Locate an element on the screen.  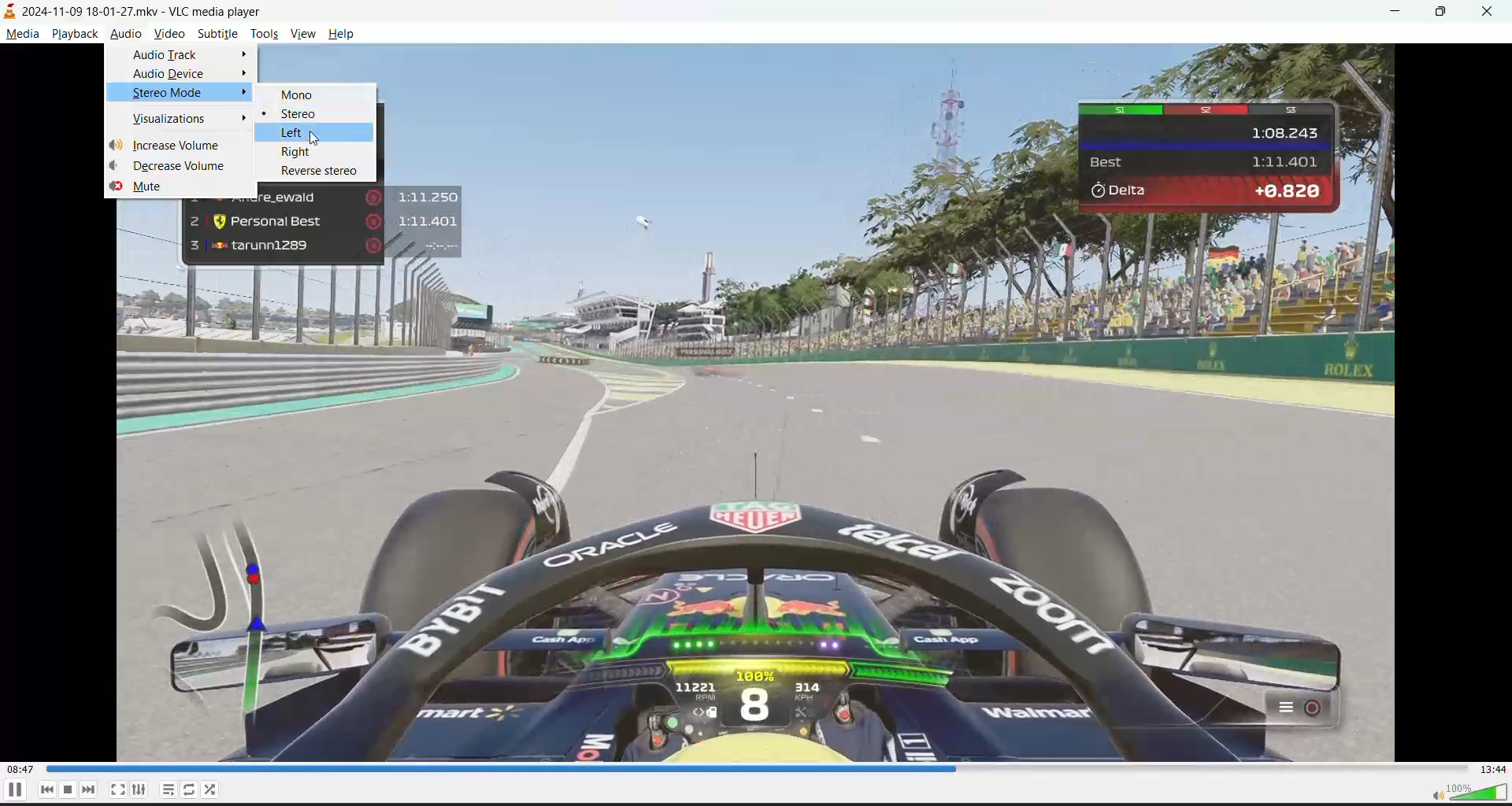
random is located at coordinates (212, 791).